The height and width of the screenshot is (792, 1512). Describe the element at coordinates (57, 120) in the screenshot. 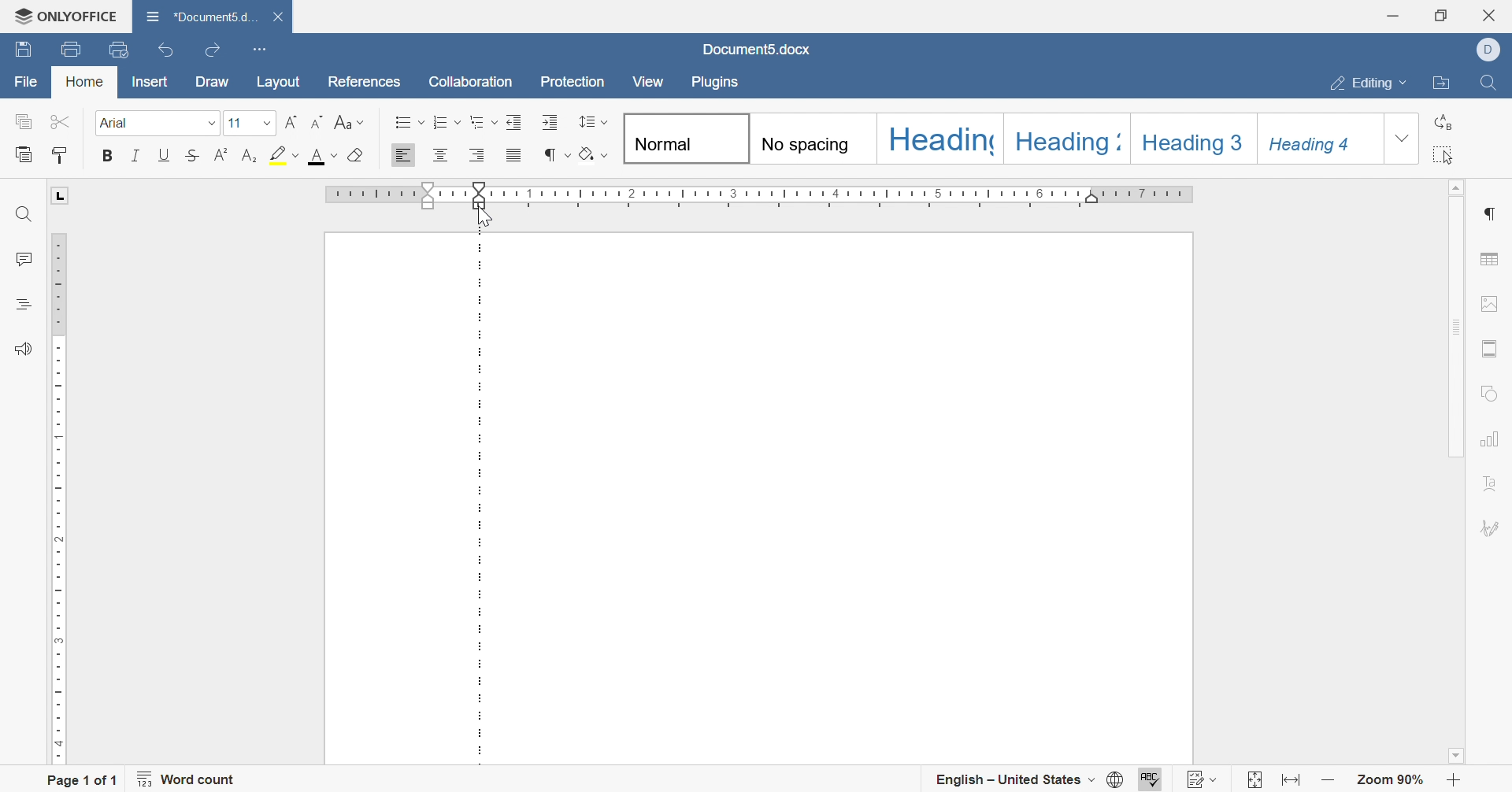

I see `cut` at that location.